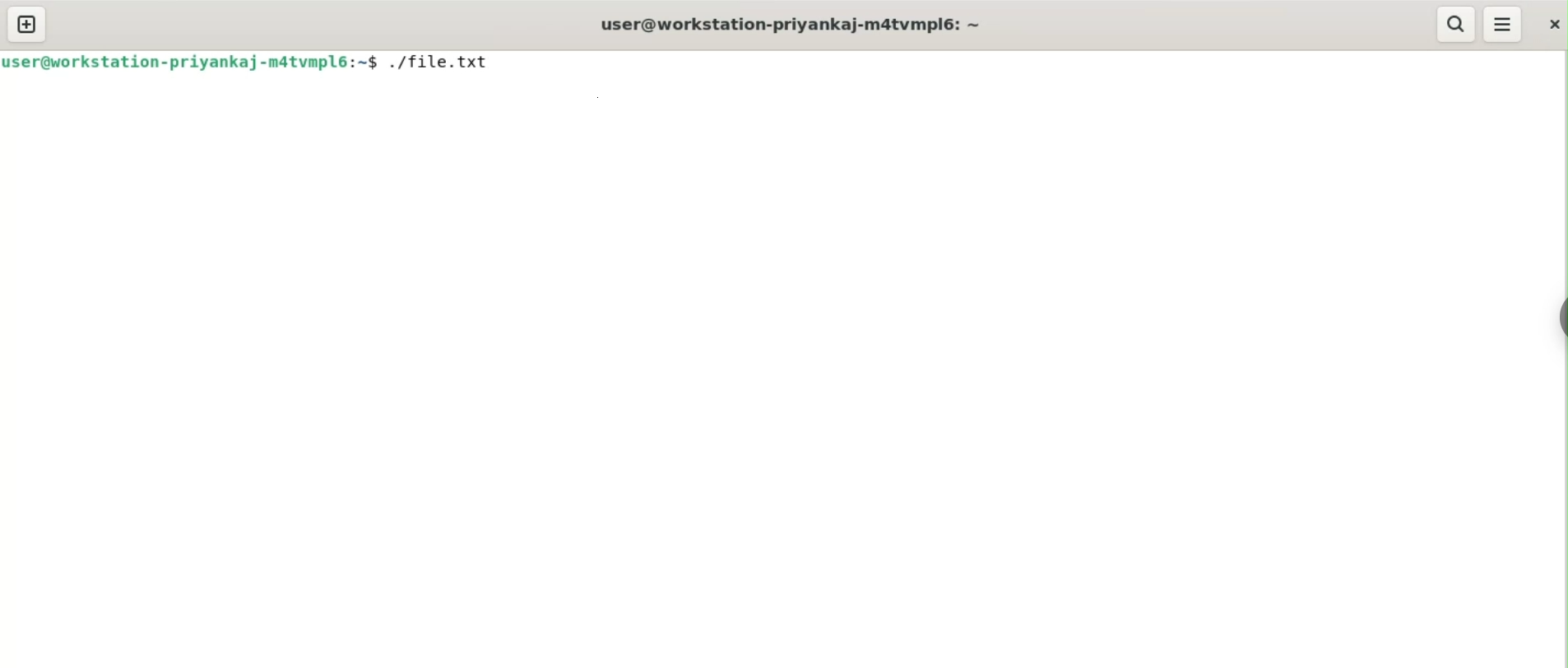 This screenshot has width=1568, height=668. I want to click on user@workstation-priyankaj-m4tvmpl6: ~$, so click(191, 62).